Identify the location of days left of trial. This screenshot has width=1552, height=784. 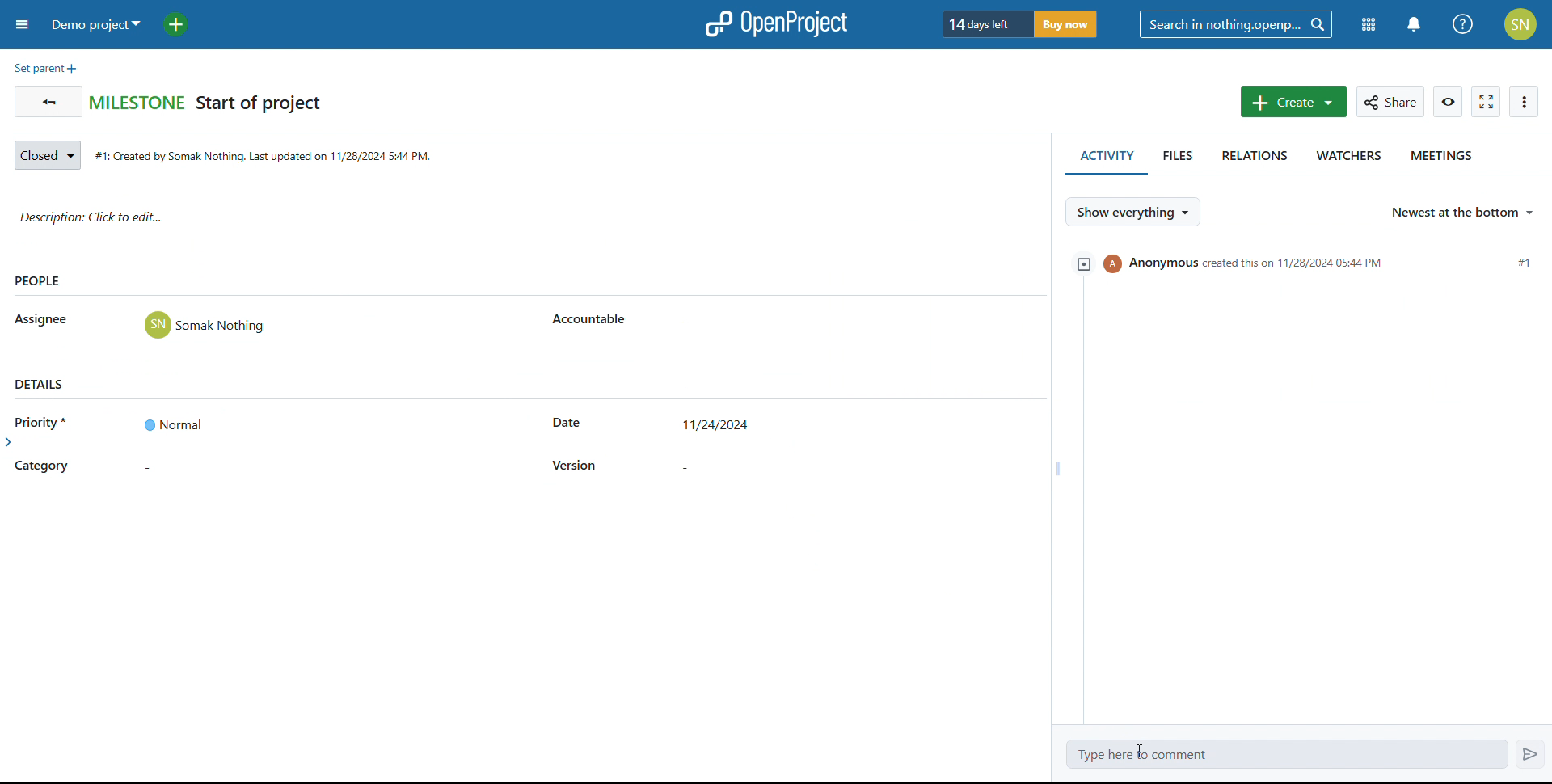
(982, 23).